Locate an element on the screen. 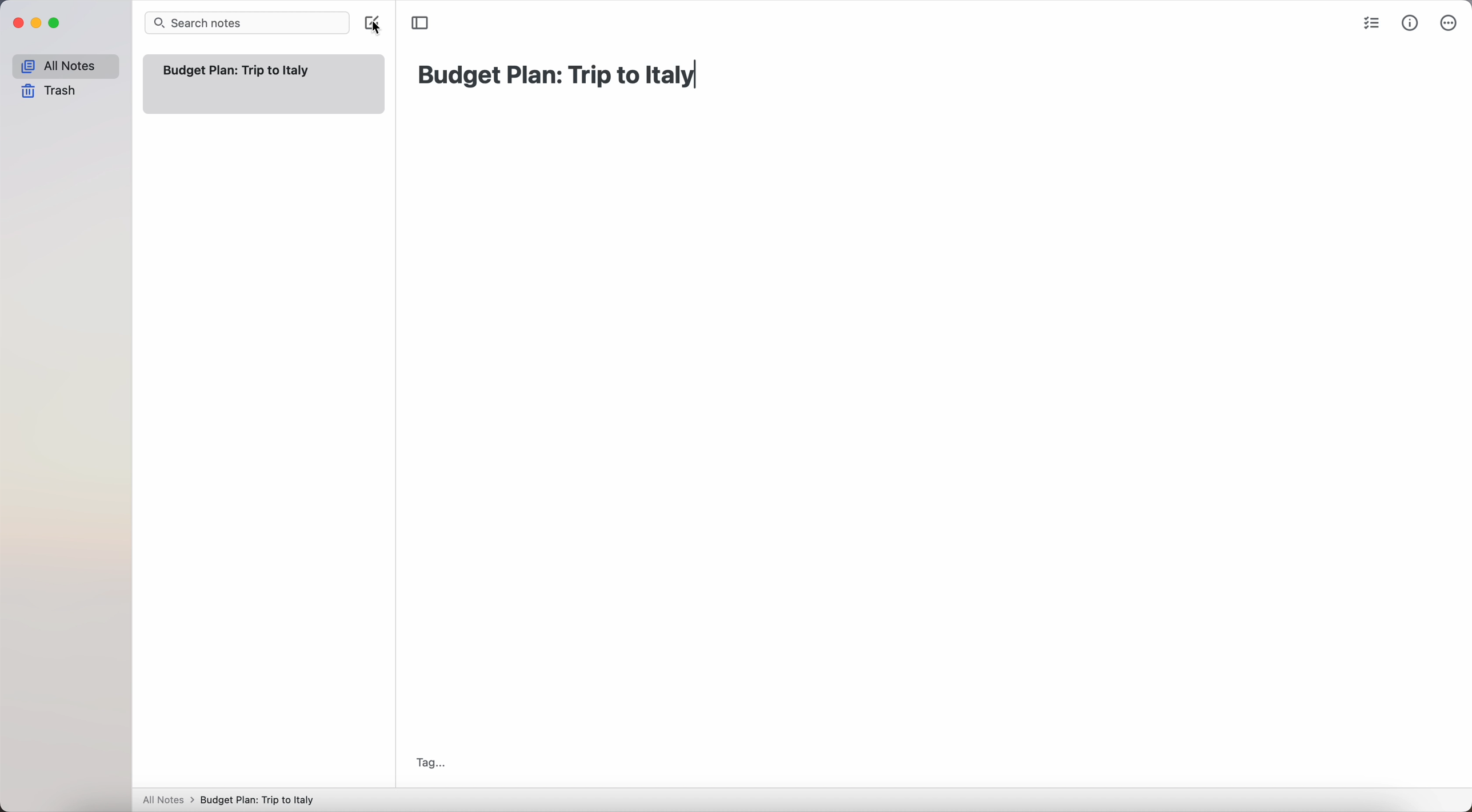 The height and width of the screenshot is (812, 1472). Budget plan trip to Italy note is located at coordinates (238, 70).